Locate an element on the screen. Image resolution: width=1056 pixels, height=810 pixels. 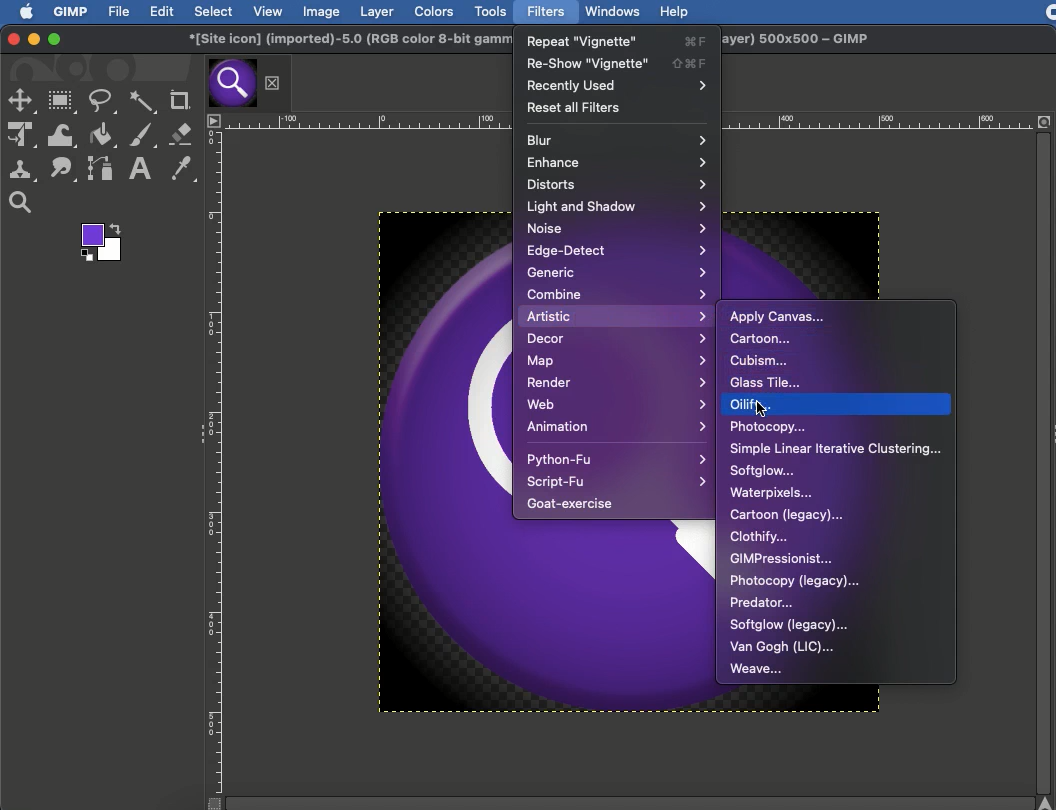
Colors is located at coordinates (436, 12).